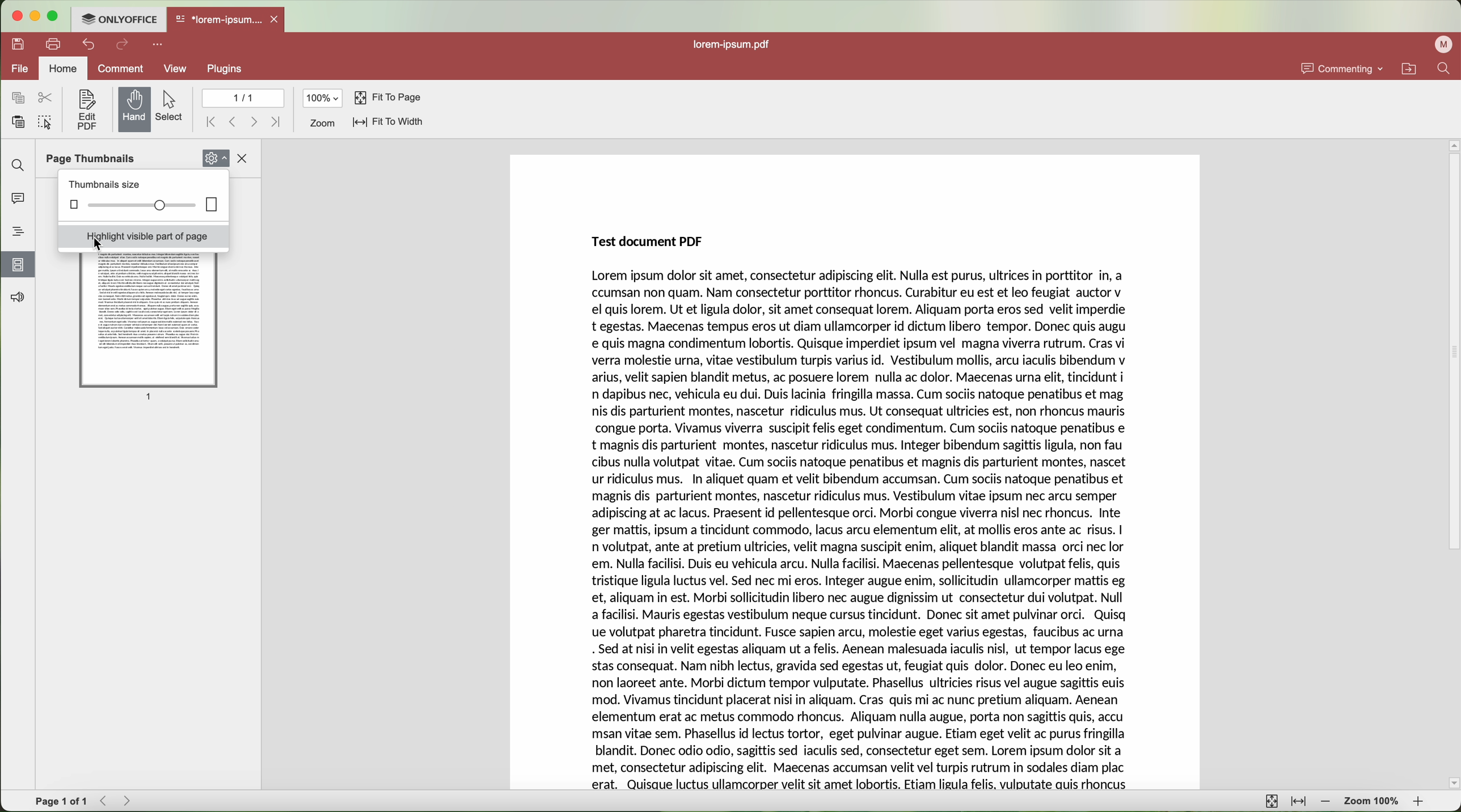 The image size is (1461, 812). Describe the element at coordinates (104, 184) in the screenshot. I see `Thumbnails size` at that location.